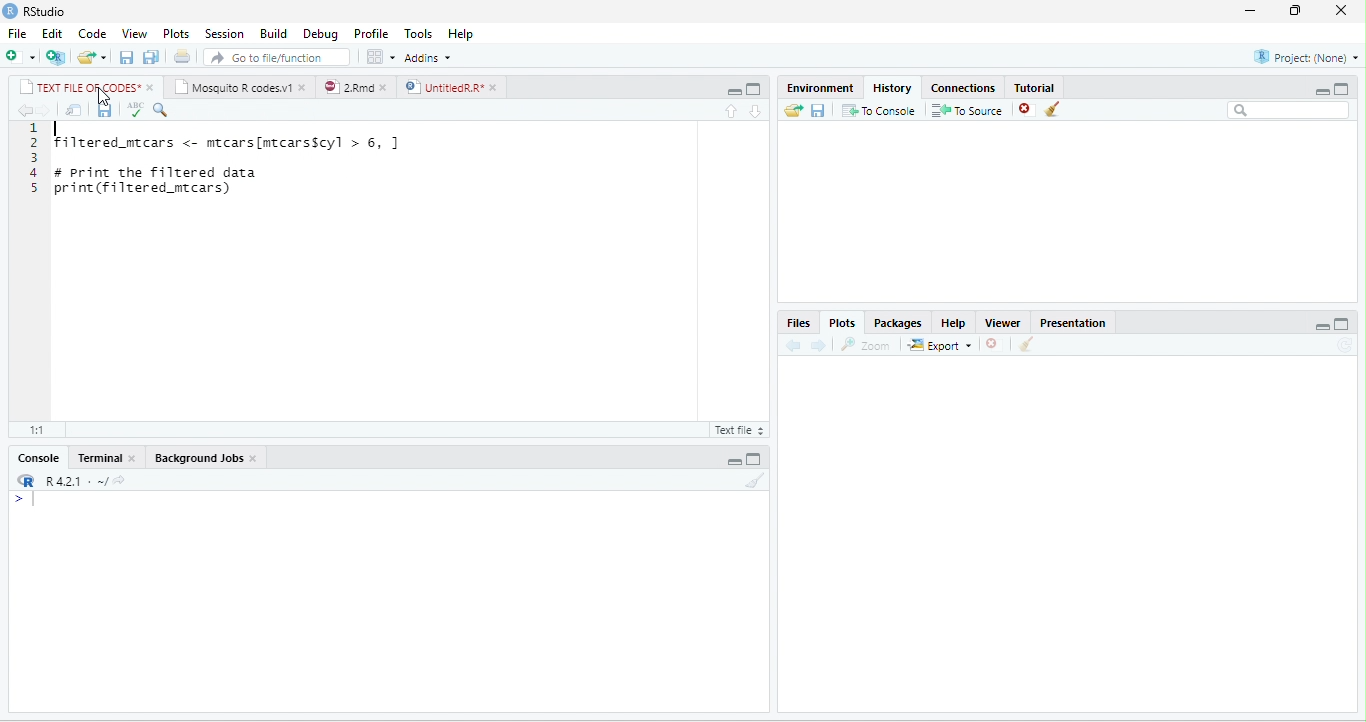 The image size is (1366, 722). Describe the element at coordinates (965, 110) in the screenshot. I see `To source` at that location.